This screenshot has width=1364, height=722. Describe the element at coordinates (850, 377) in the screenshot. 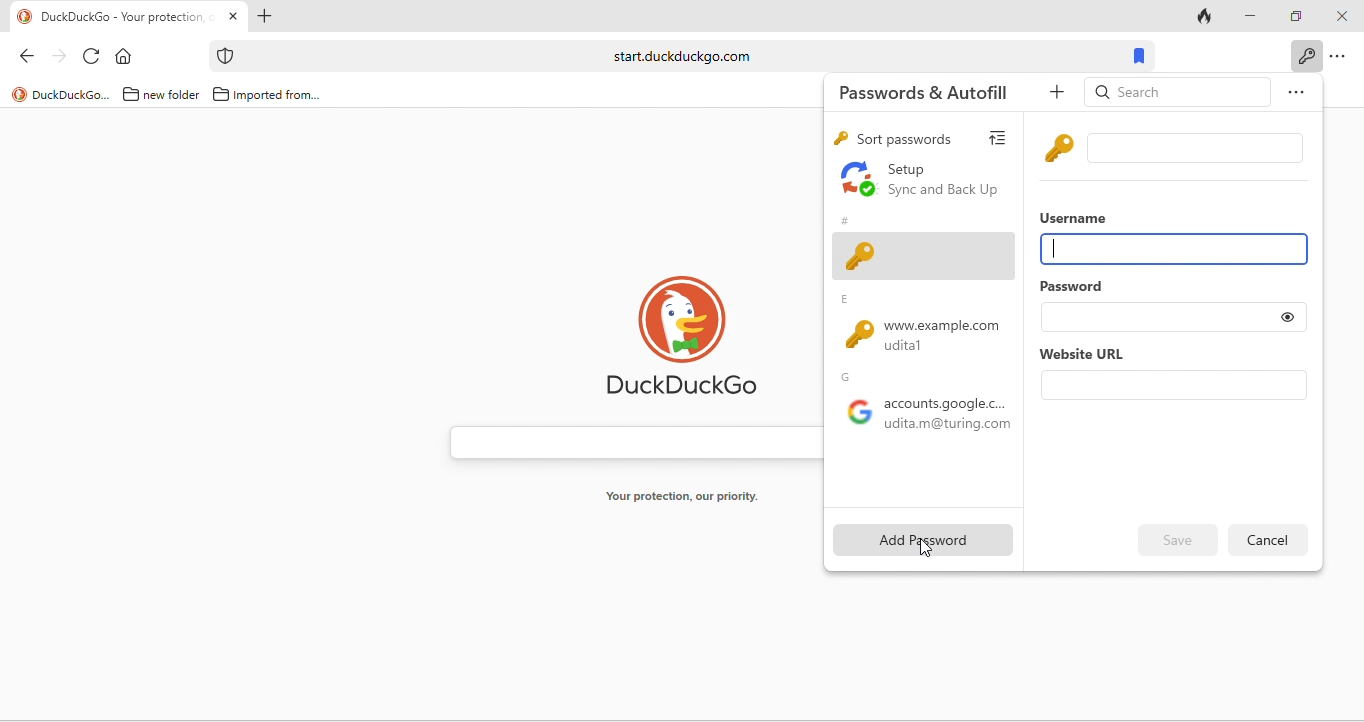

I see `g` at that location.